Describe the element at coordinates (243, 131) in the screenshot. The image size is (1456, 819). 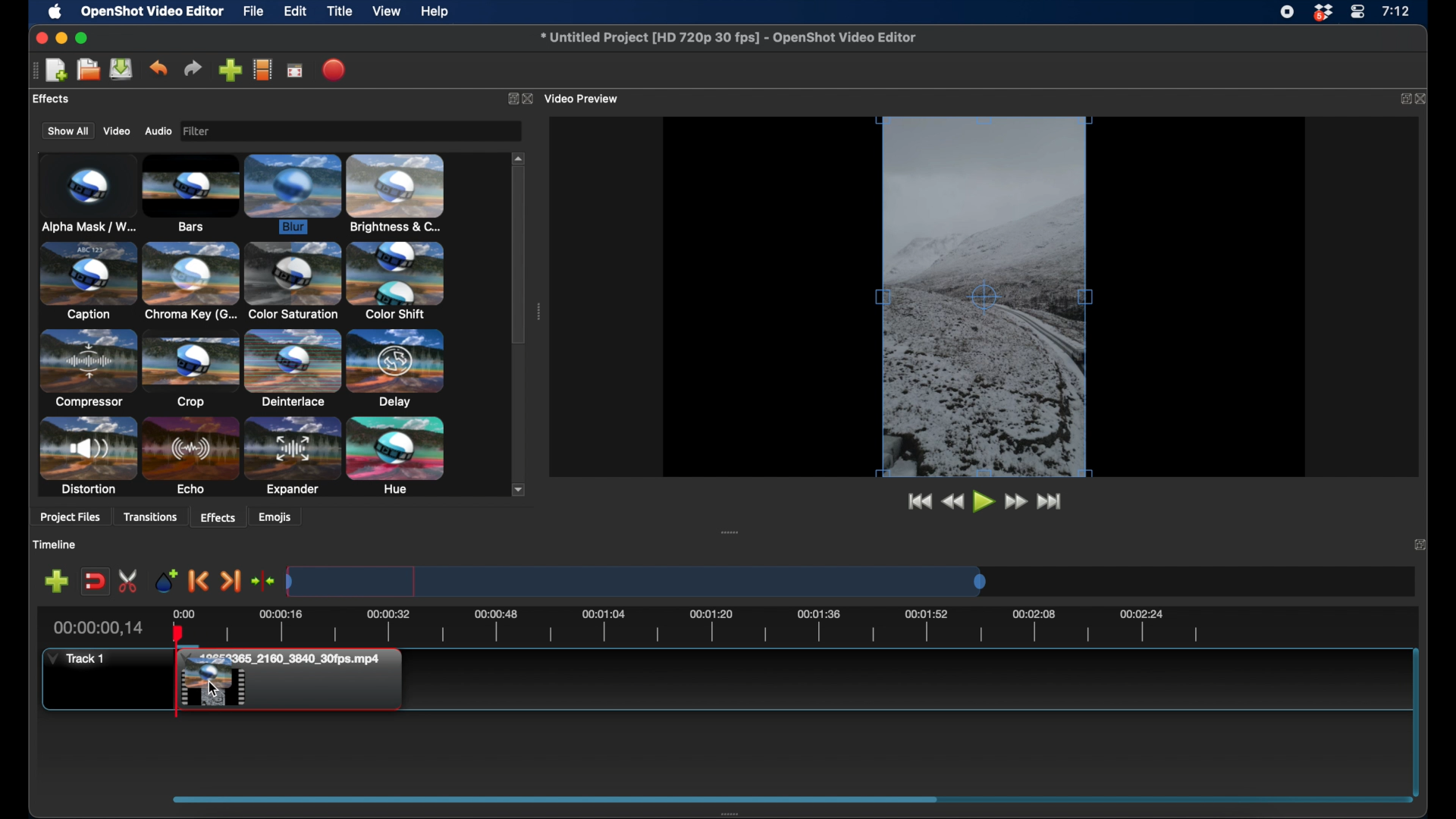
I see `filter` at that location.